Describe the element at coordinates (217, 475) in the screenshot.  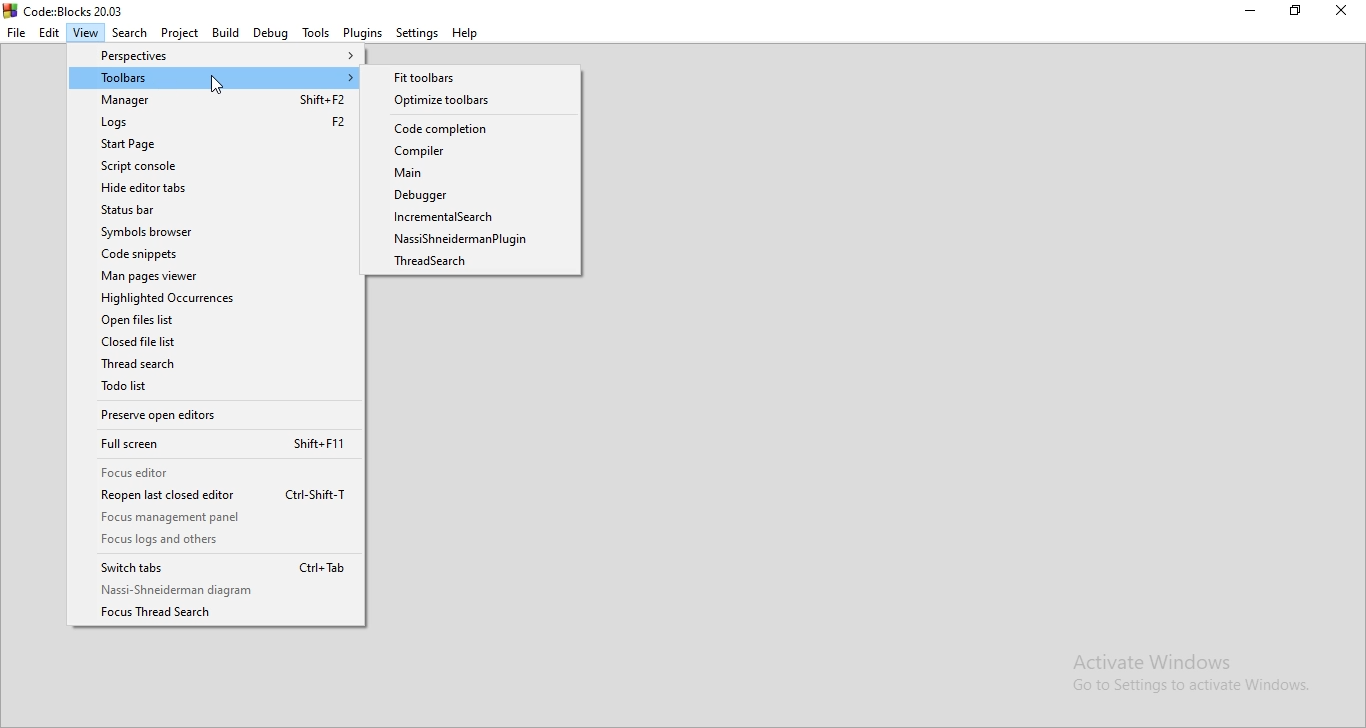
I see `Focus editor` at that location.